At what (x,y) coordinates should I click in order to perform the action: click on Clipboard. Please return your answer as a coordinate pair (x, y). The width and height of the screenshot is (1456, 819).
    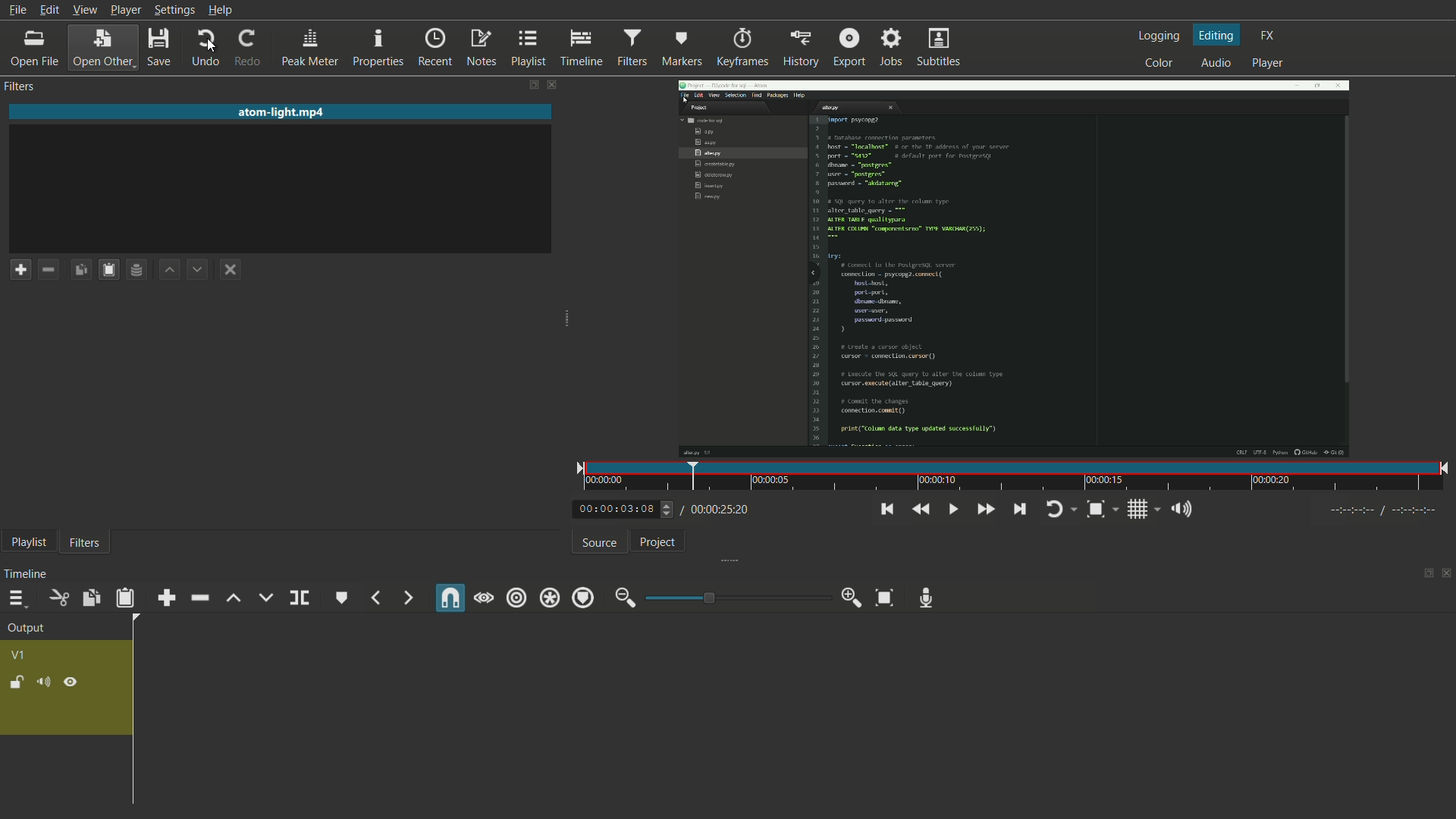
    Looking at the image, I should click on (105, 265).